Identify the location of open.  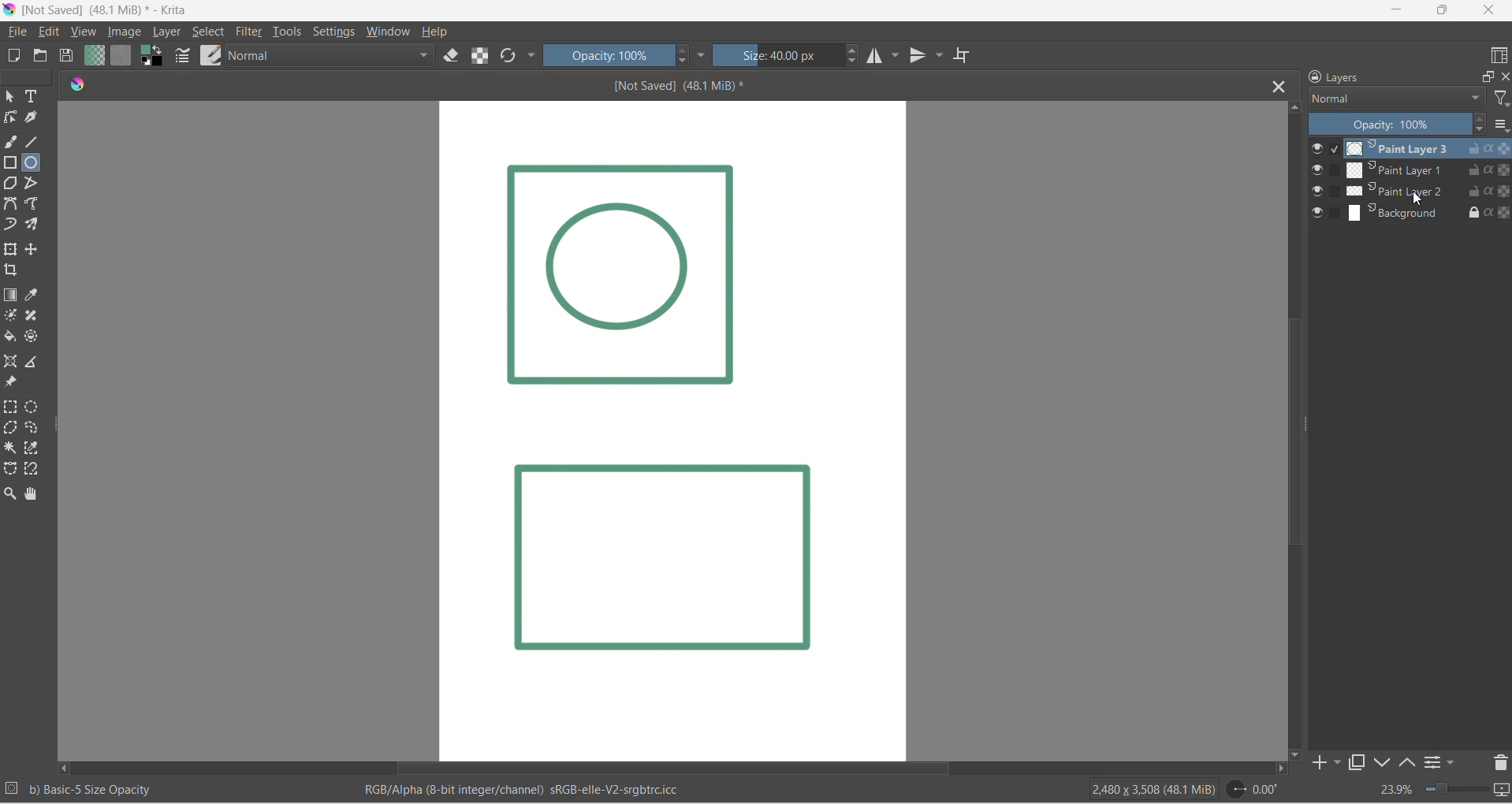
(41, 56).